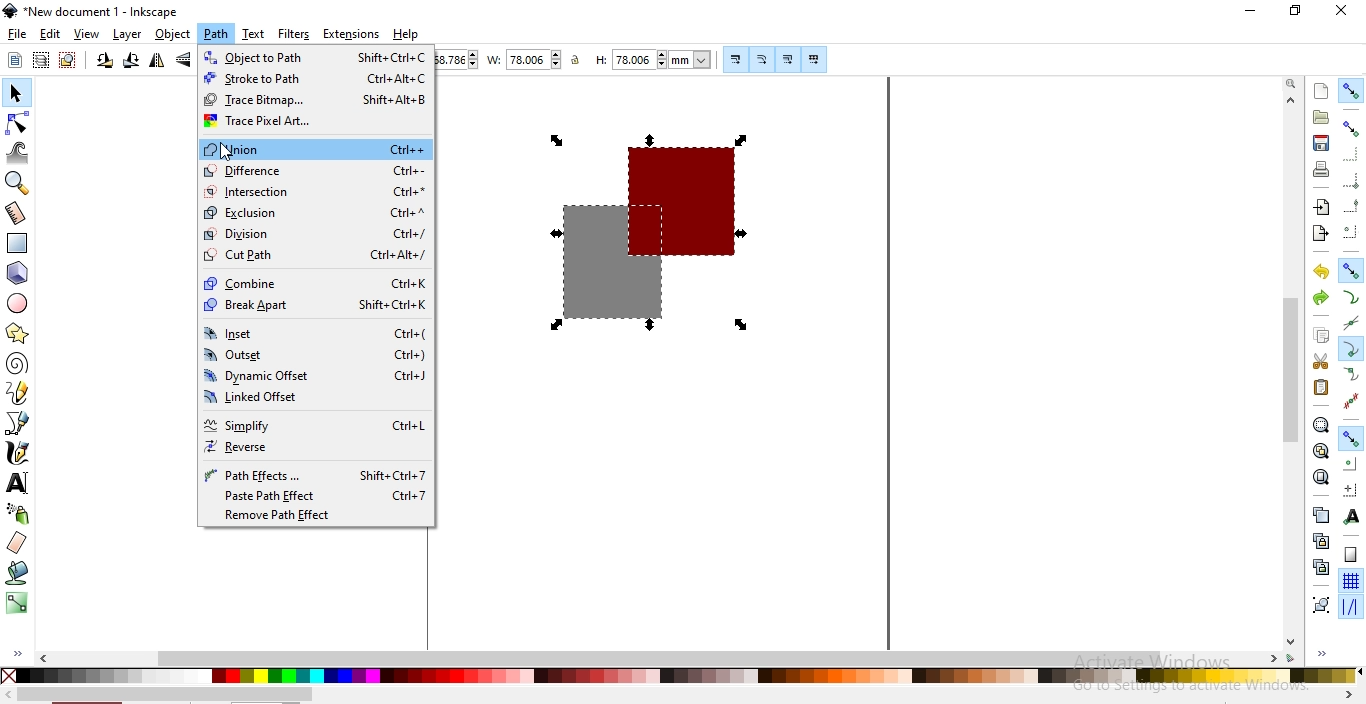  Describe the element at coordinates (316, 99) in the screenshot. I see `trace bitmap` at that location.